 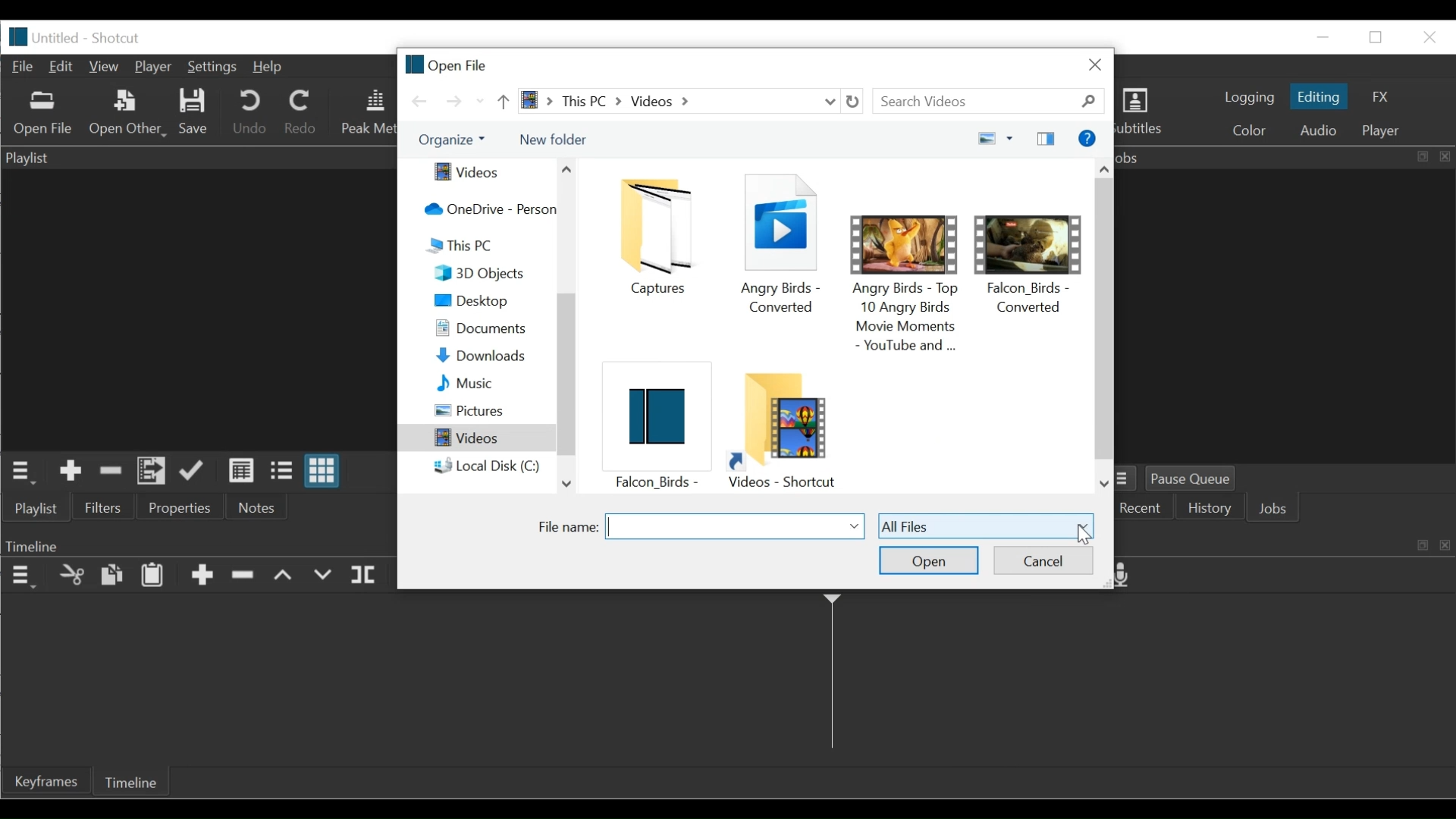 What do you see at coordinates (857, 102) in the screenshot?
I see `Refresh` at bounding box center [857, 102].